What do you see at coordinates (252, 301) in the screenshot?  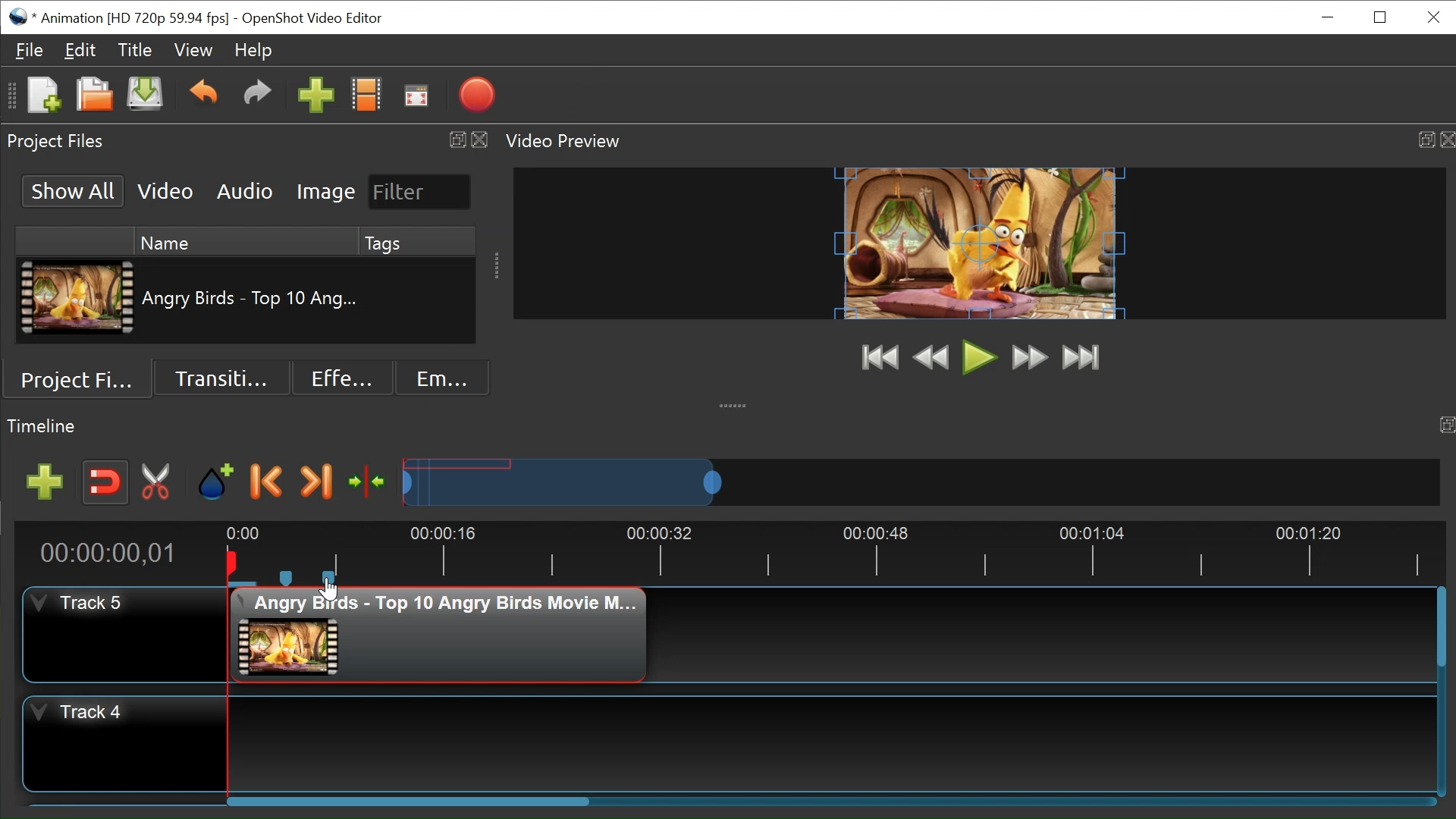 I see `Clip Nmae` at bounding box center [252, 301].